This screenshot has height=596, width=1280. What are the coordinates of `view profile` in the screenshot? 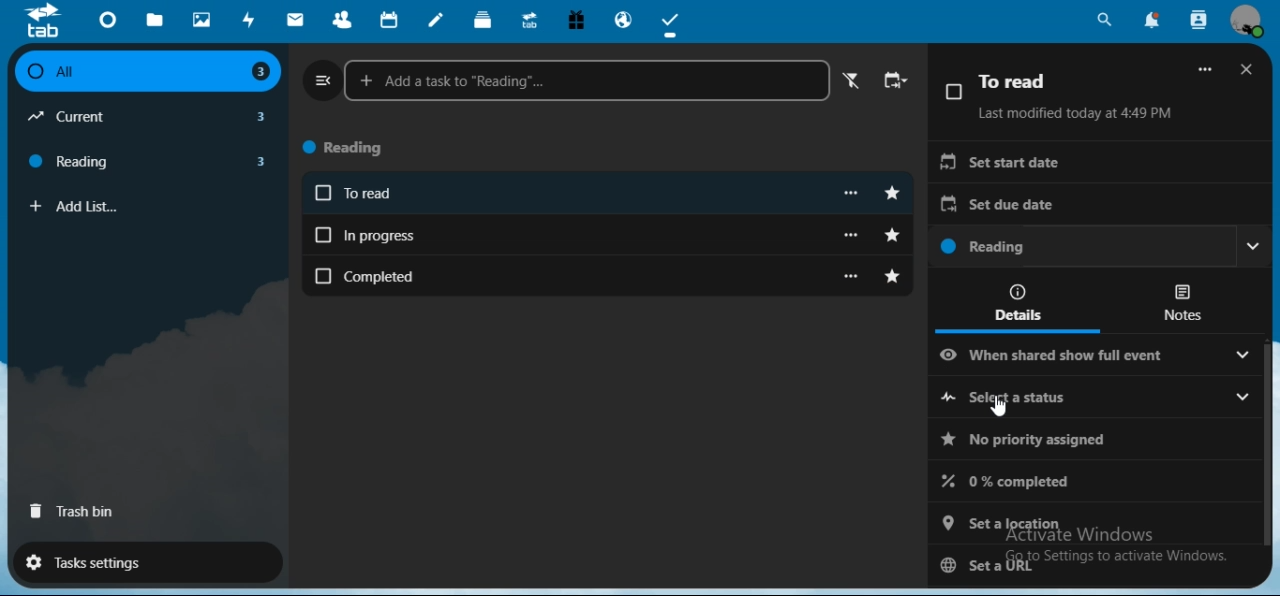 It's located at (1250, 24).